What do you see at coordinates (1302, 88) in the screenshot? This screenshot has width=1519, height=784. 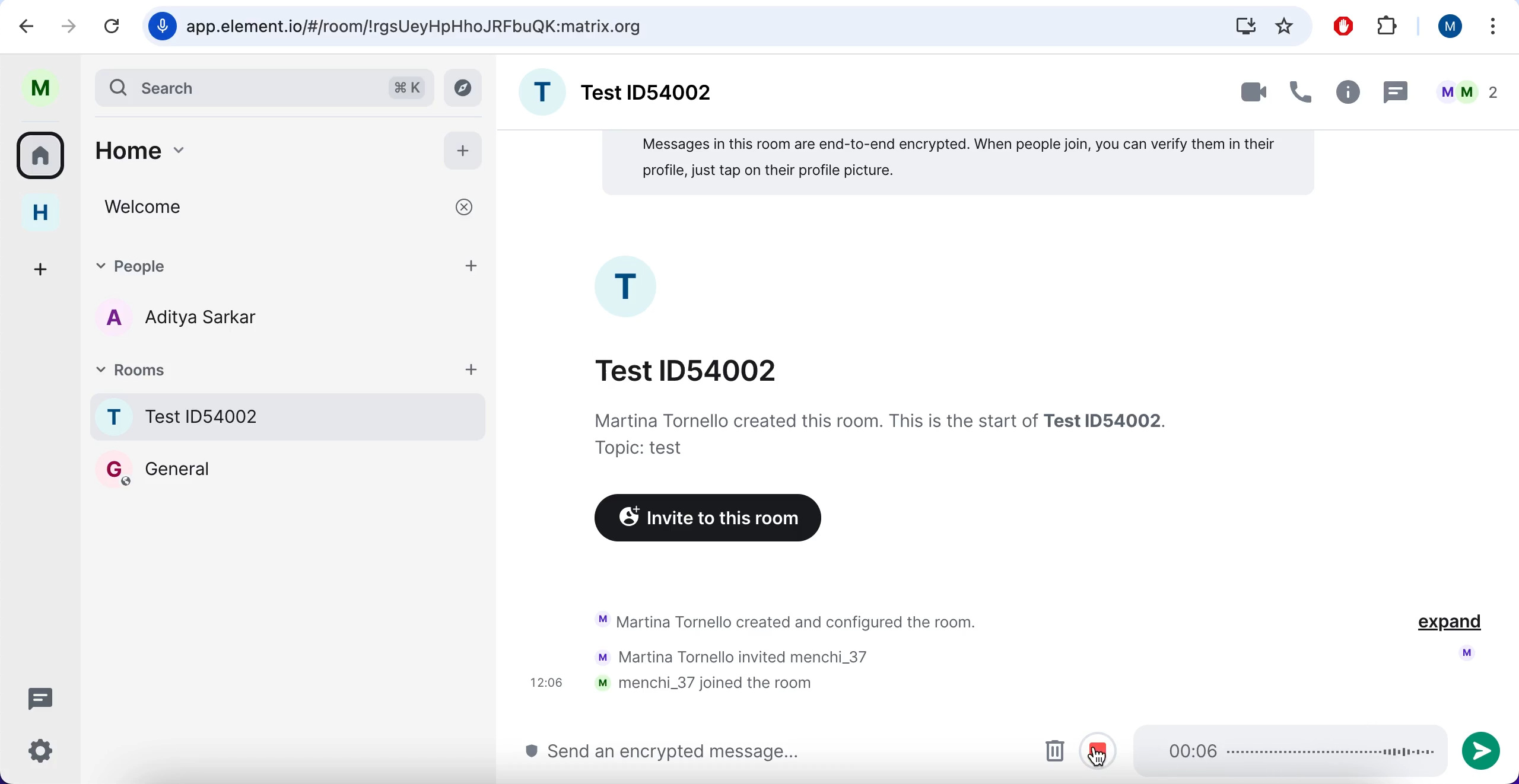 I see `call` at bounding box center [1302, 88].